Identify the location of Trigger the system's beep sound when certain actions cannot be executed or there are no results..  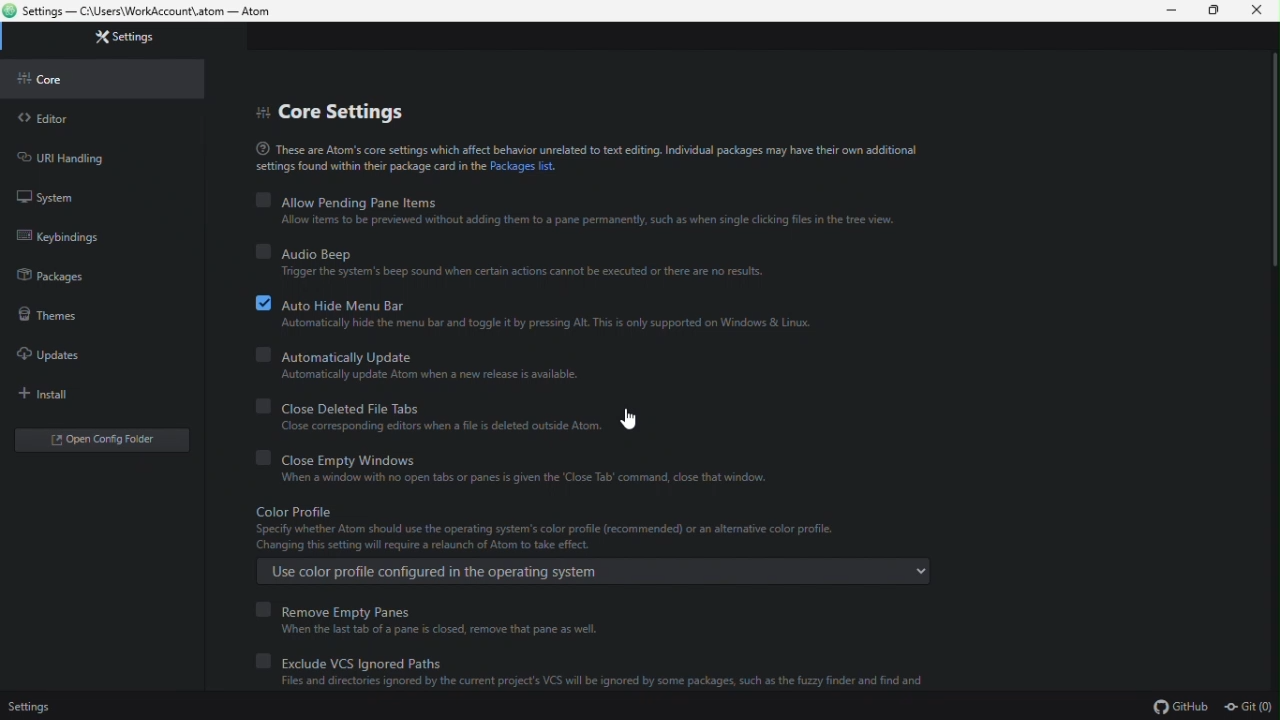
(518, 273).